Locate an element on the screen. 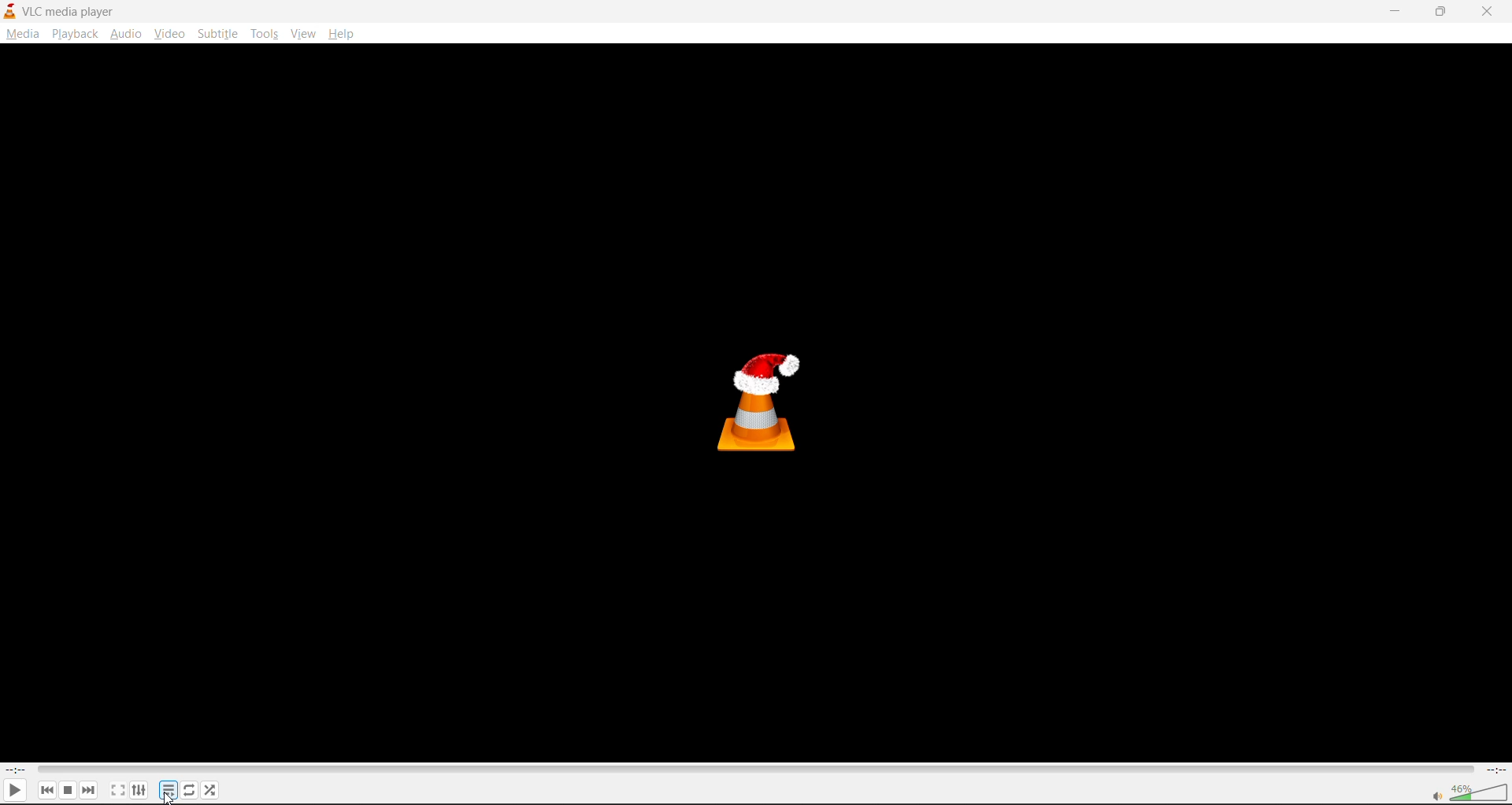 The width and height of the screenshot is (1512, 805). previous is located at coordinates (43, 788).